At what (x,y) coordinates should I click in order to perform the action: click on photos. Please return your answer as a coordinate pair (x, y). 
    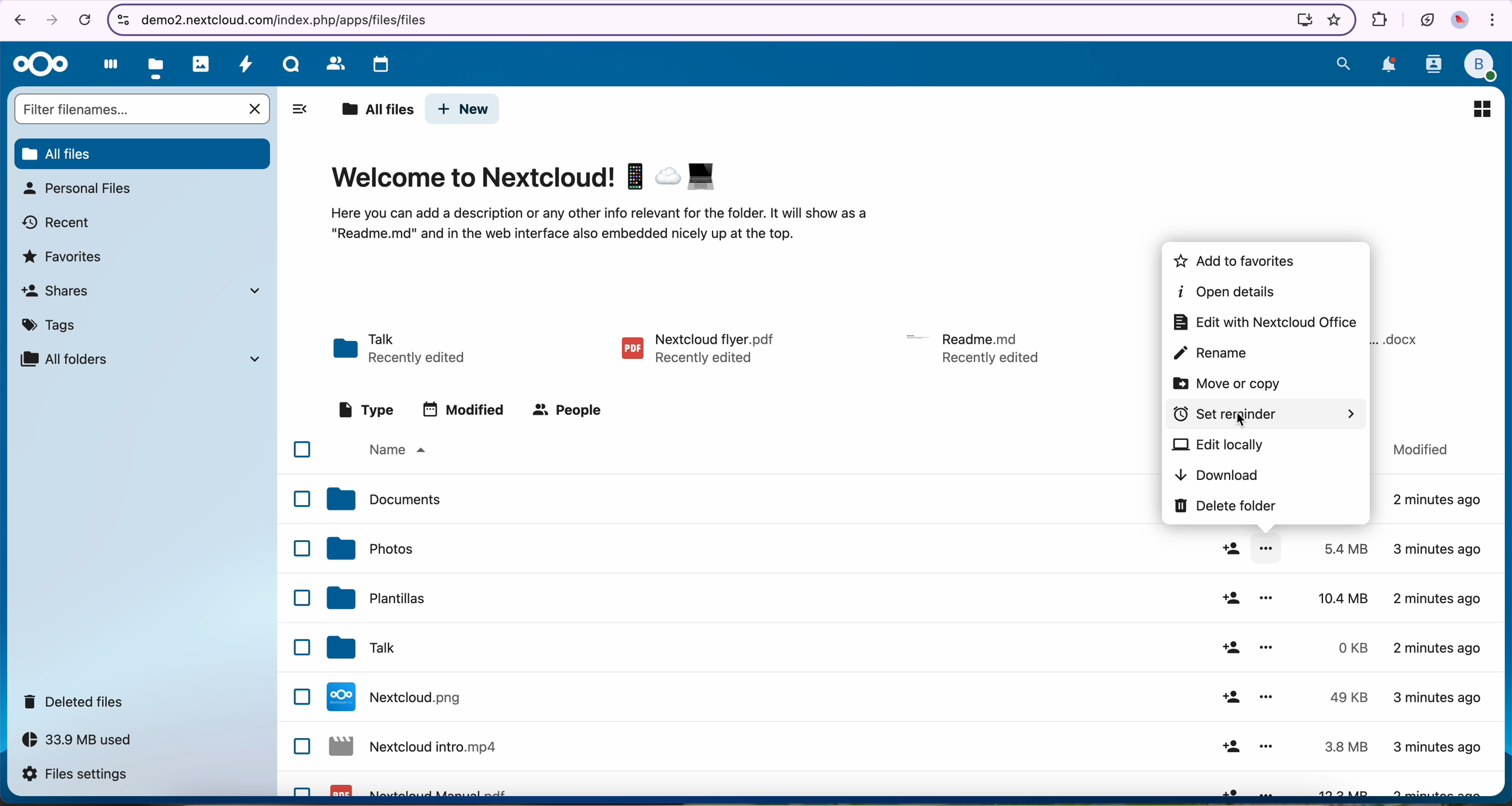
    Looking at the image, I should click on (372, 548).